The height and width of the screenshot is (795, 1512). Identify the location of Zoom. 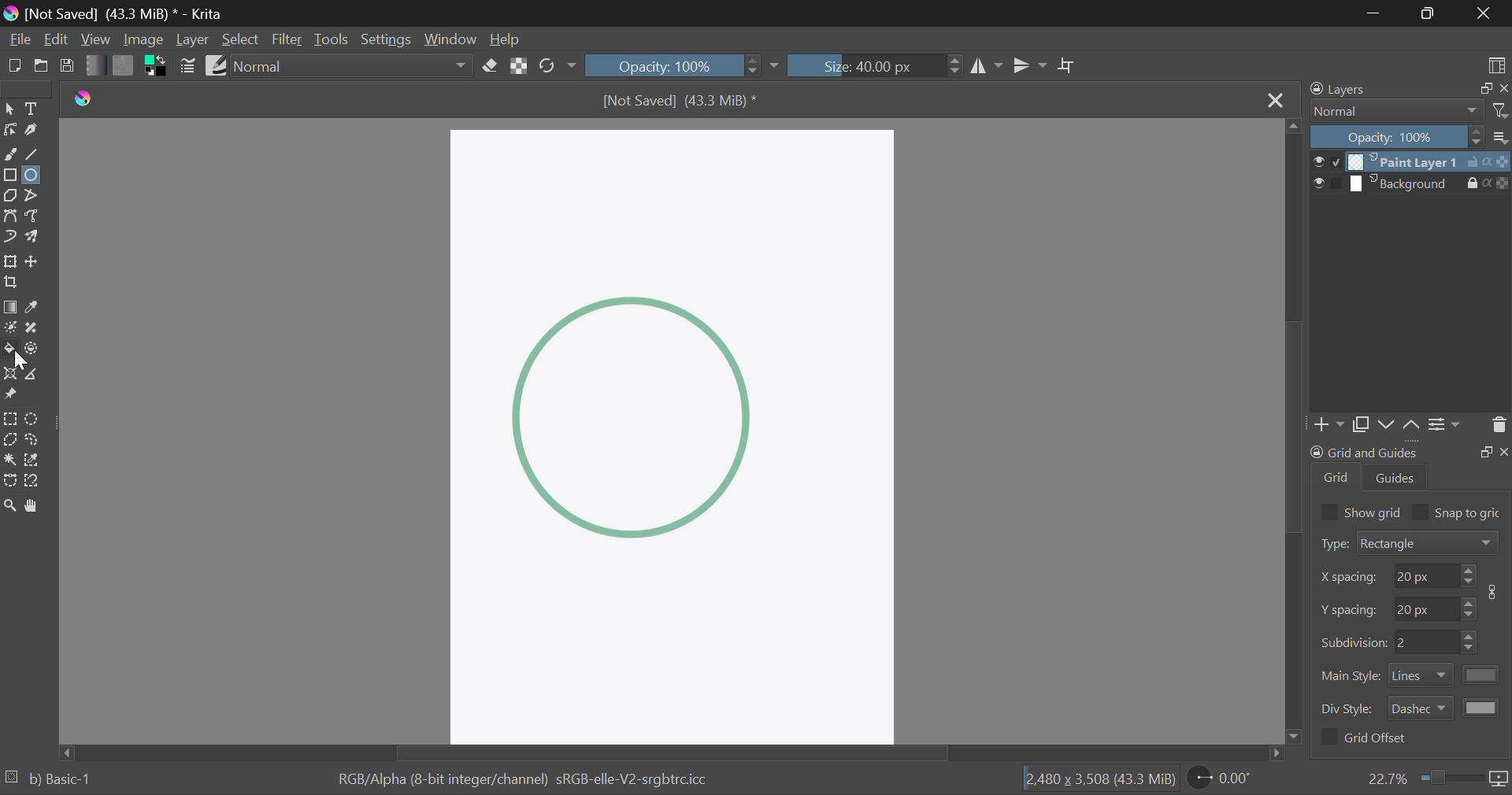
(10, 505).